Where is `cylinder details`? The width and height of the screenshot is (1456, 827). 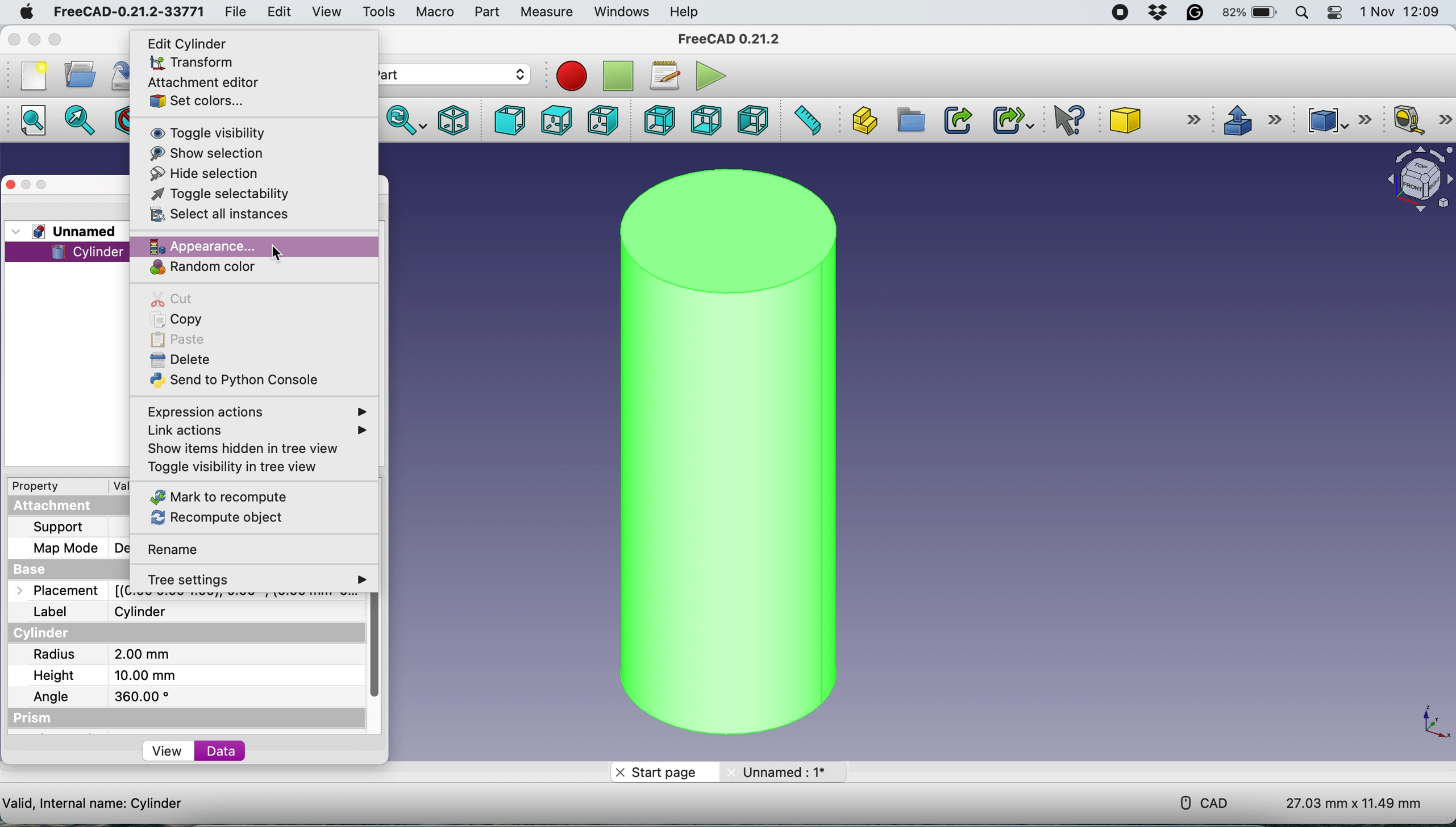 cylinder details is located at coordinates (94, 804).